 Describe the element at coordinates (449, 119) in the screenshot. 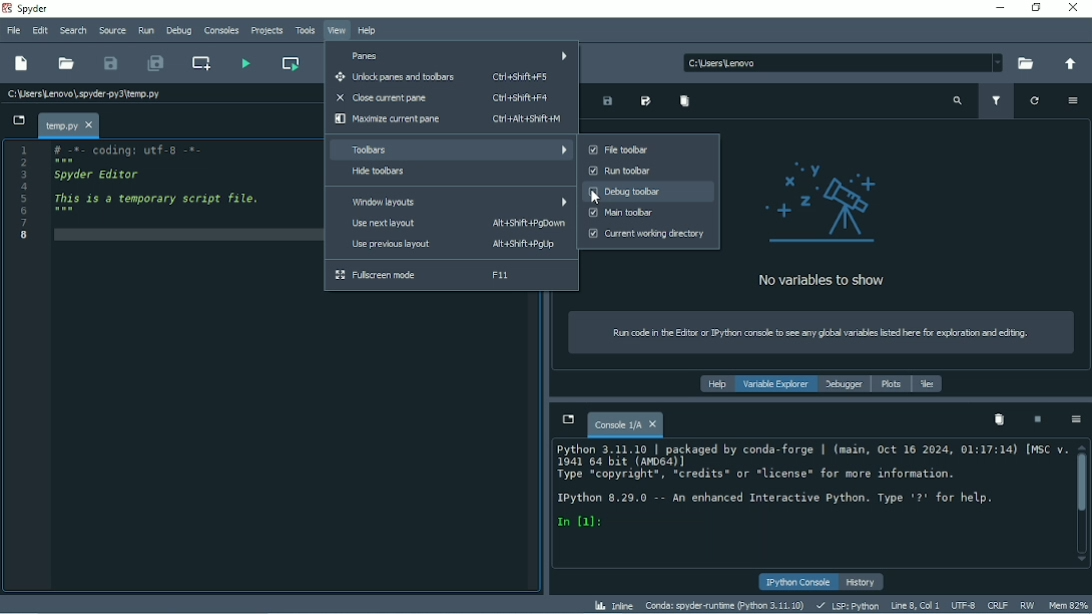

I see `Maximize current pane` at that location.